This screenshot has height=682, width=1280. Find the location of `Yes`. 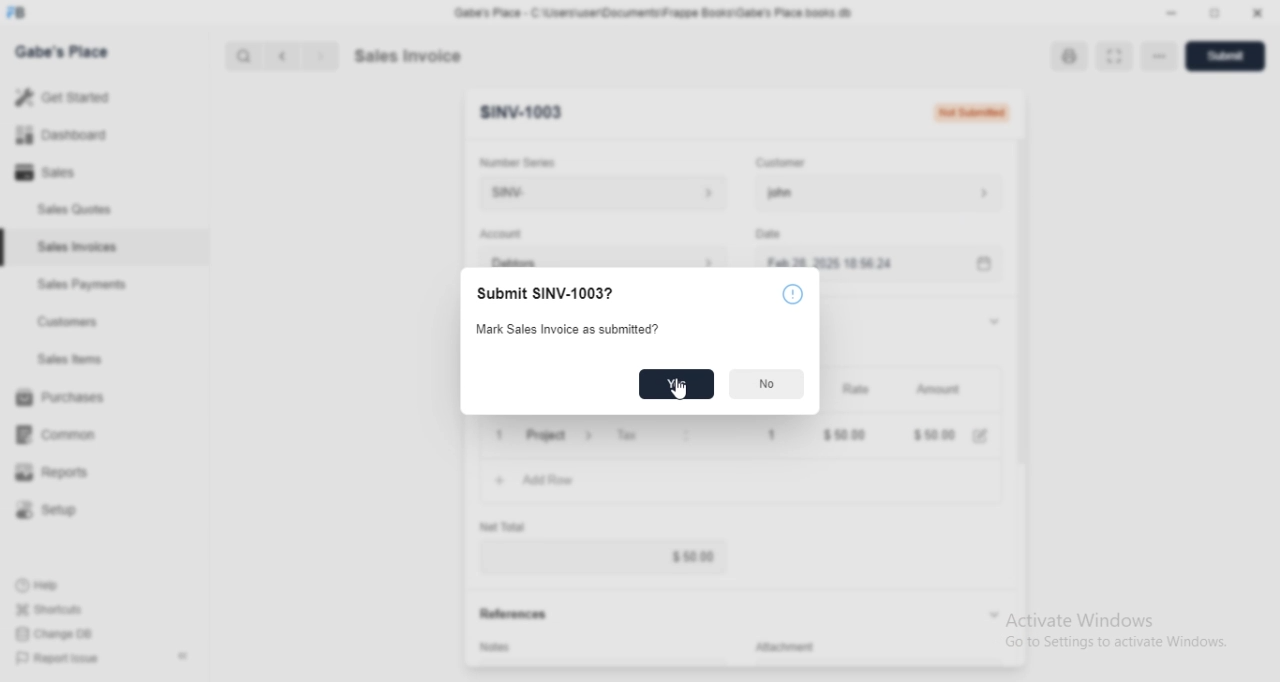

Yes is located at coordinates (676, 384).